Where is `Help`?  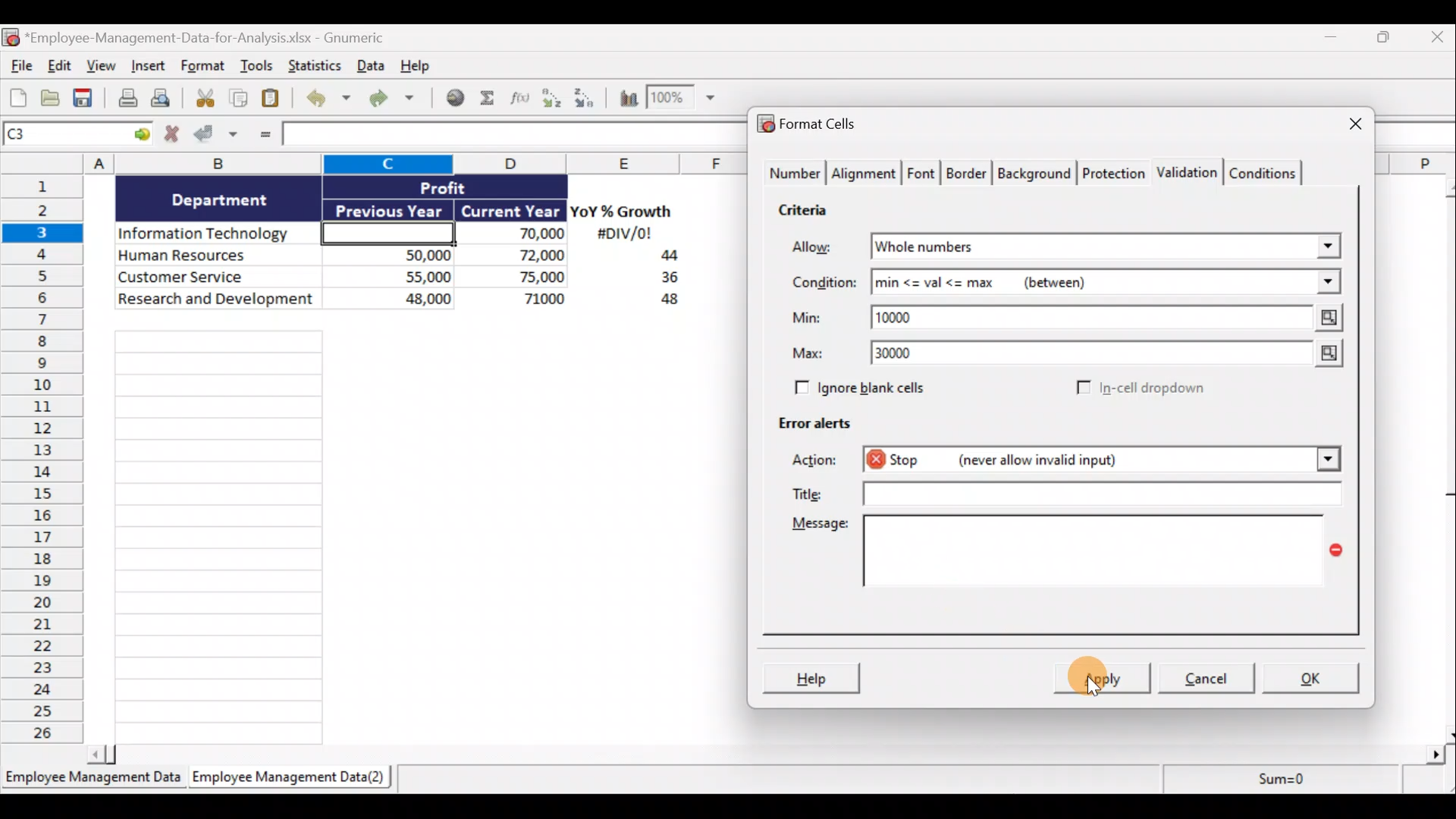 Help is located at coordinates (814, 676).